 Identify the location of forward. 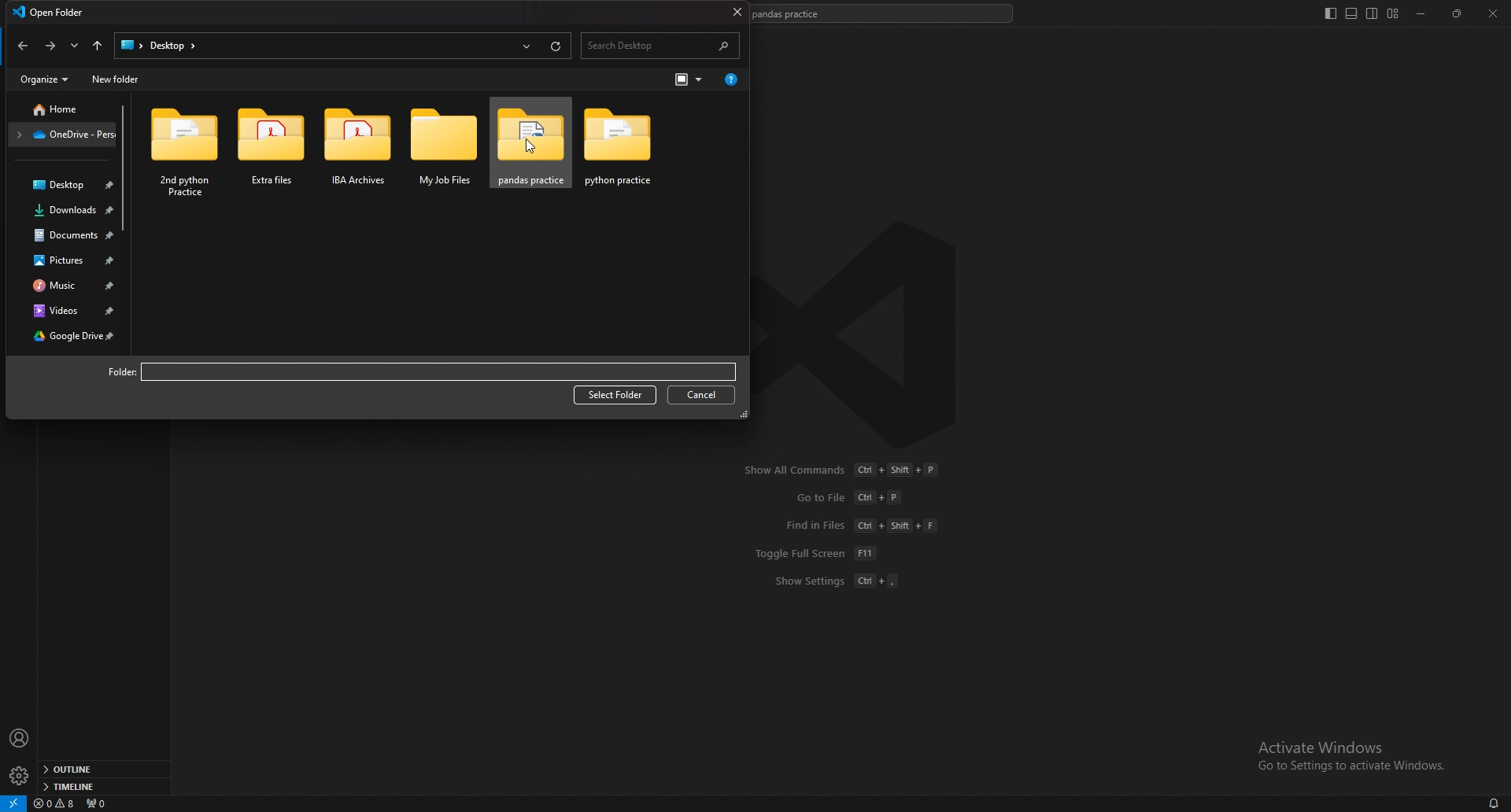
(50, 46).